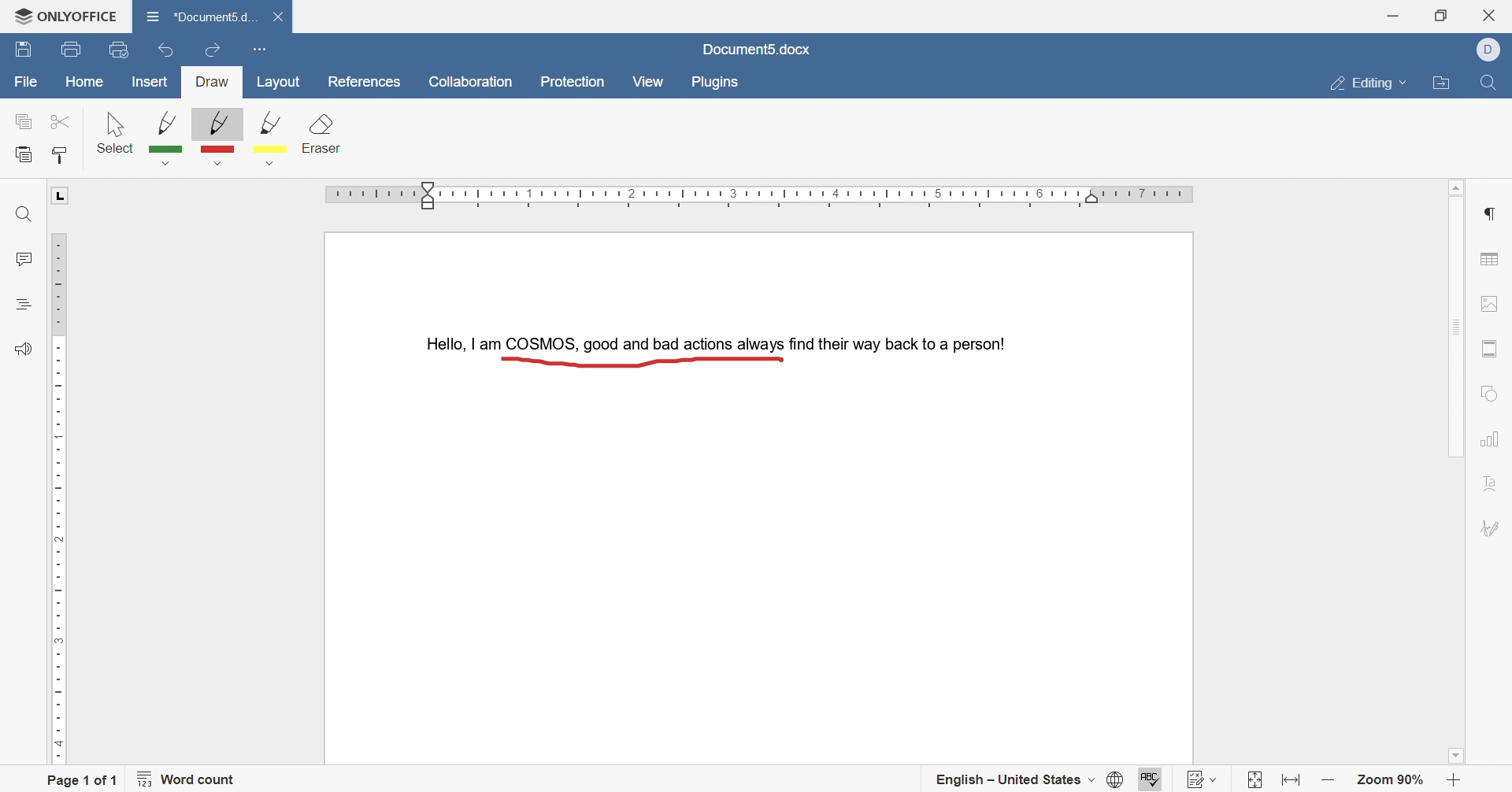 Image resolution: width=1512 pixels, height=792 pixels. What do you see at coordinates (1489, 487) in the screenshot?
I see `text art settings` at bounding box center [1489, 487].